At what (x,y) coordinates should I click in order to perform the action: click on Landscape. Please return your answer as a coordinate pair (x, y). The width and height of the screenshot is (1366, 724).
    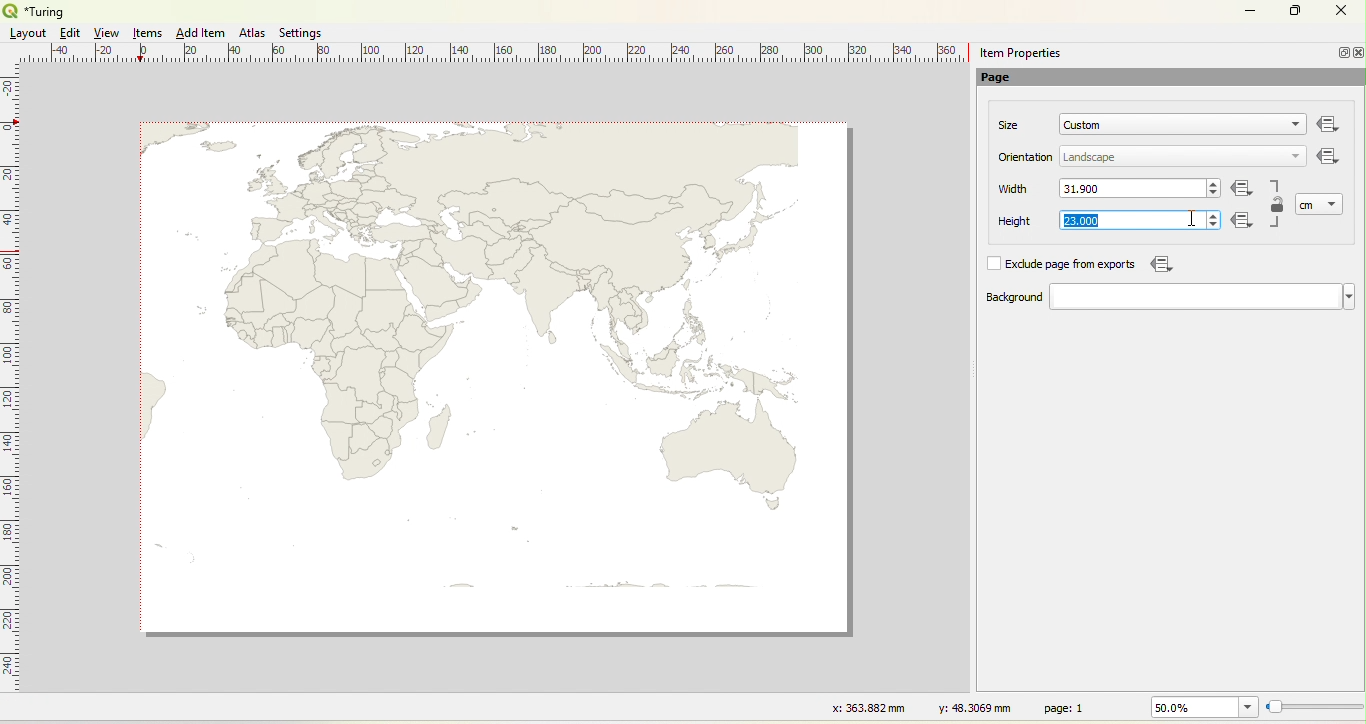
    Looking at the image, I should click on (1090, 158).